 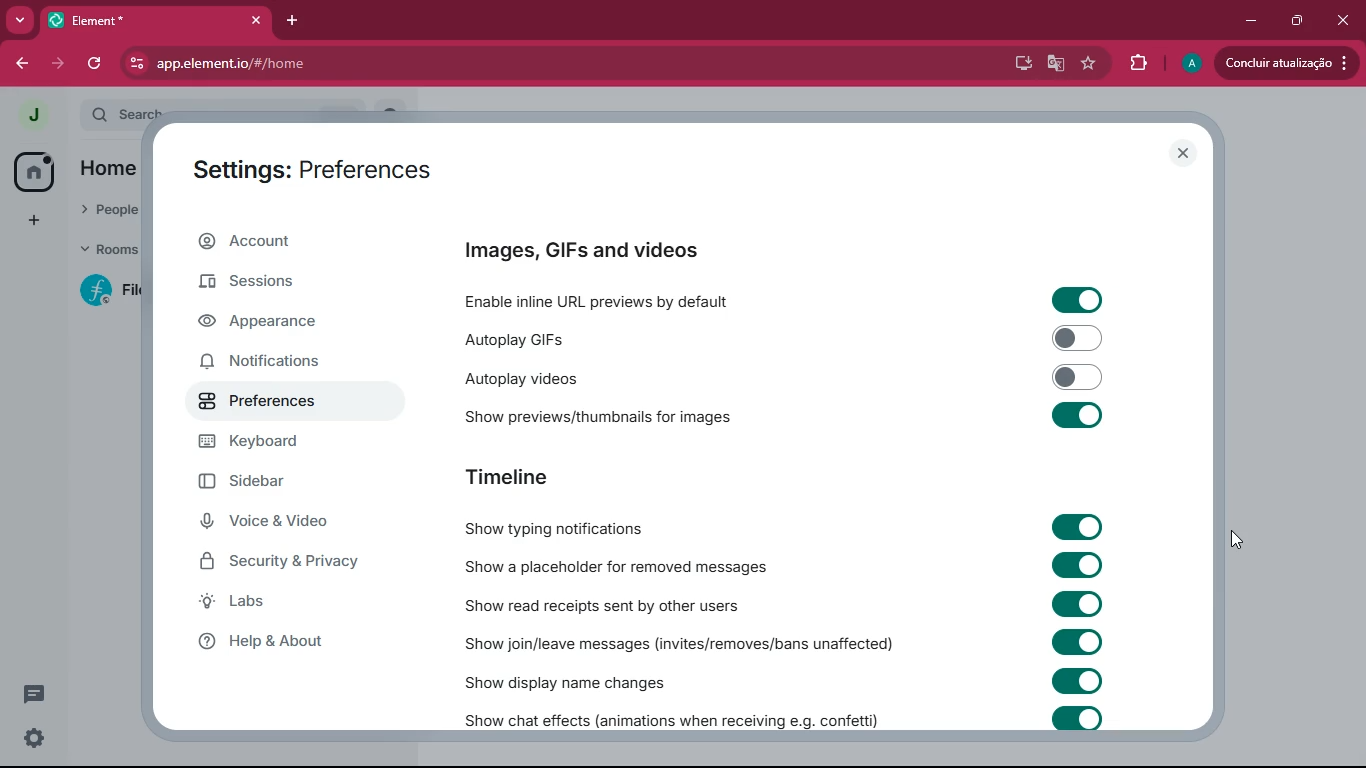 What do you see at coordinates (355, 65) in the screenshot?
I see `app.element.io/#/home` at bounding box center [355, 65].